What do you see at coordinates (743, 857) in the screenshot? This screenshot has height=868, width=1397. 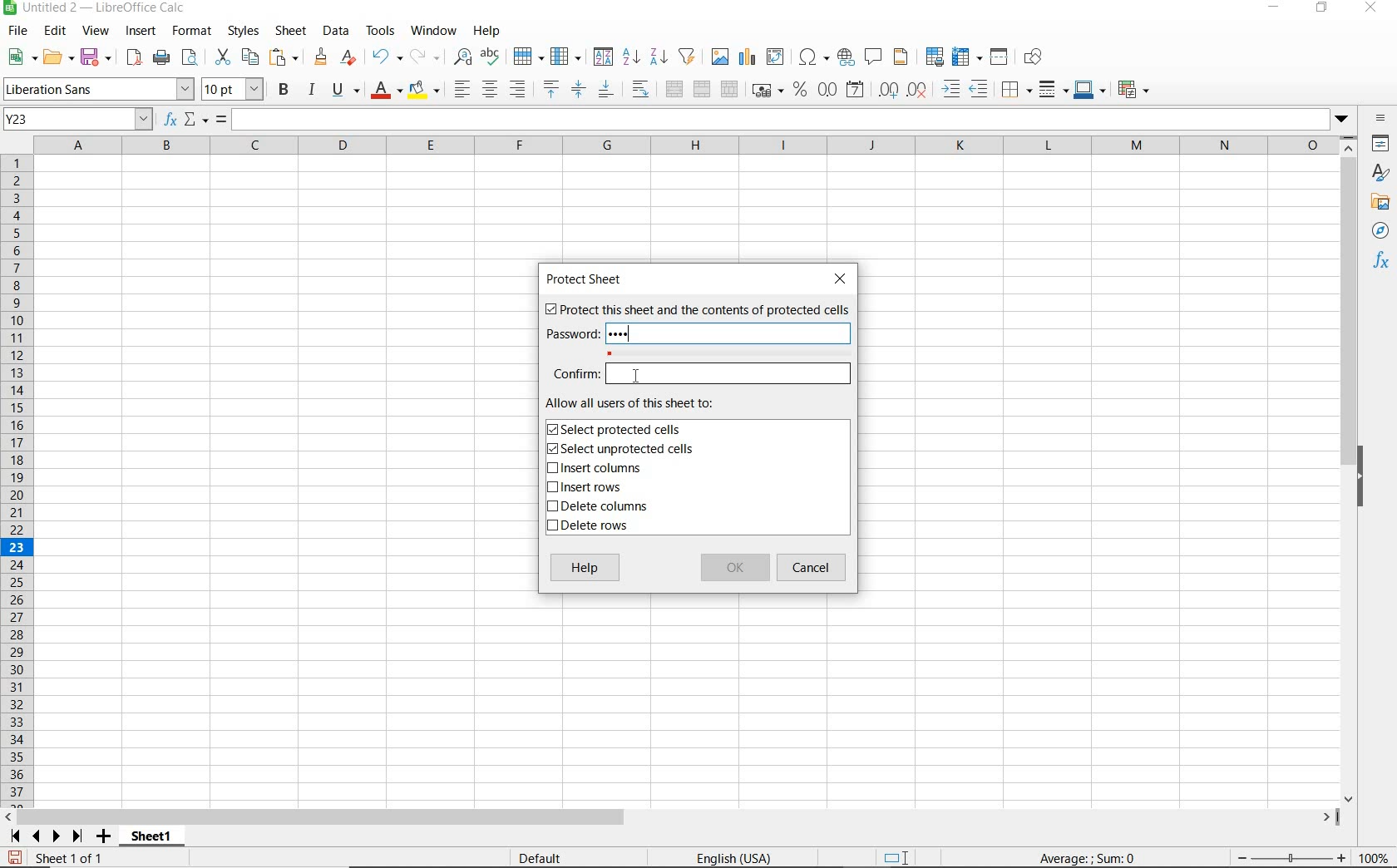 I see `english (USA)` at bounding box center [743, 857].